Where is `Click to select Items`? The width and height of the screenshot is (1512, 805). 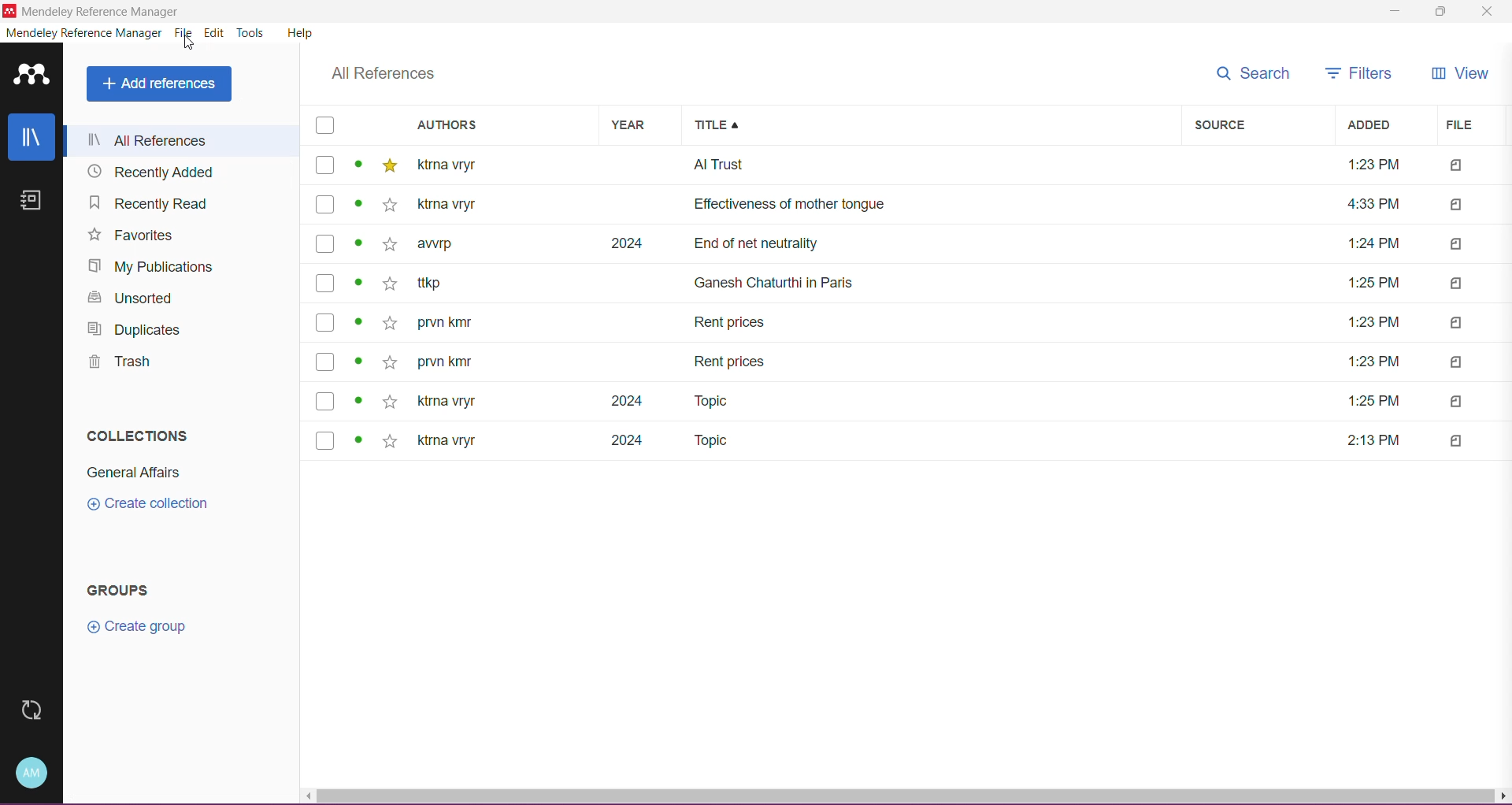
Click to select Items is located at coordinates (324, 284).